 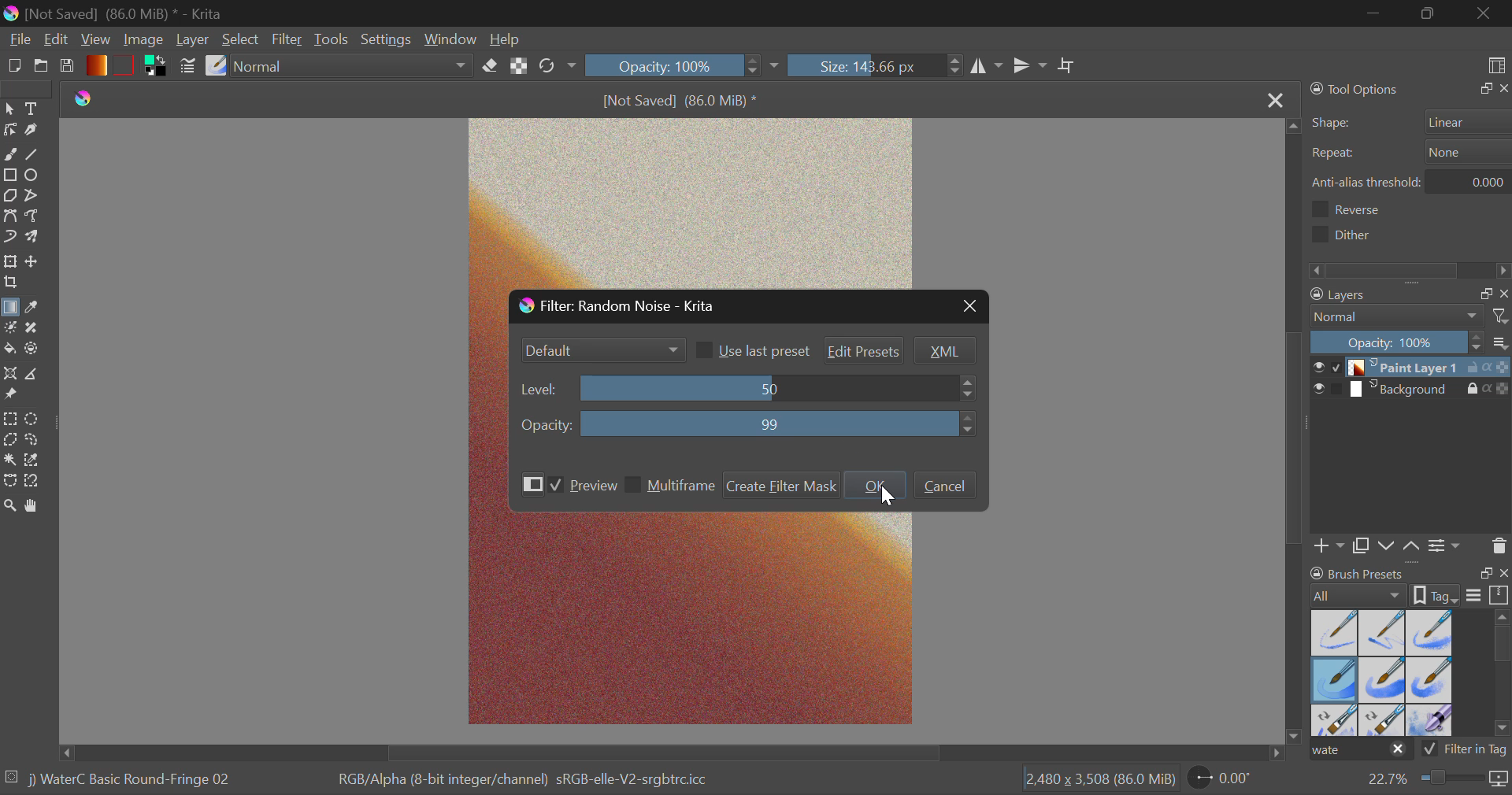 I want to click on Brusht Settings, so click(x=187, y=68).